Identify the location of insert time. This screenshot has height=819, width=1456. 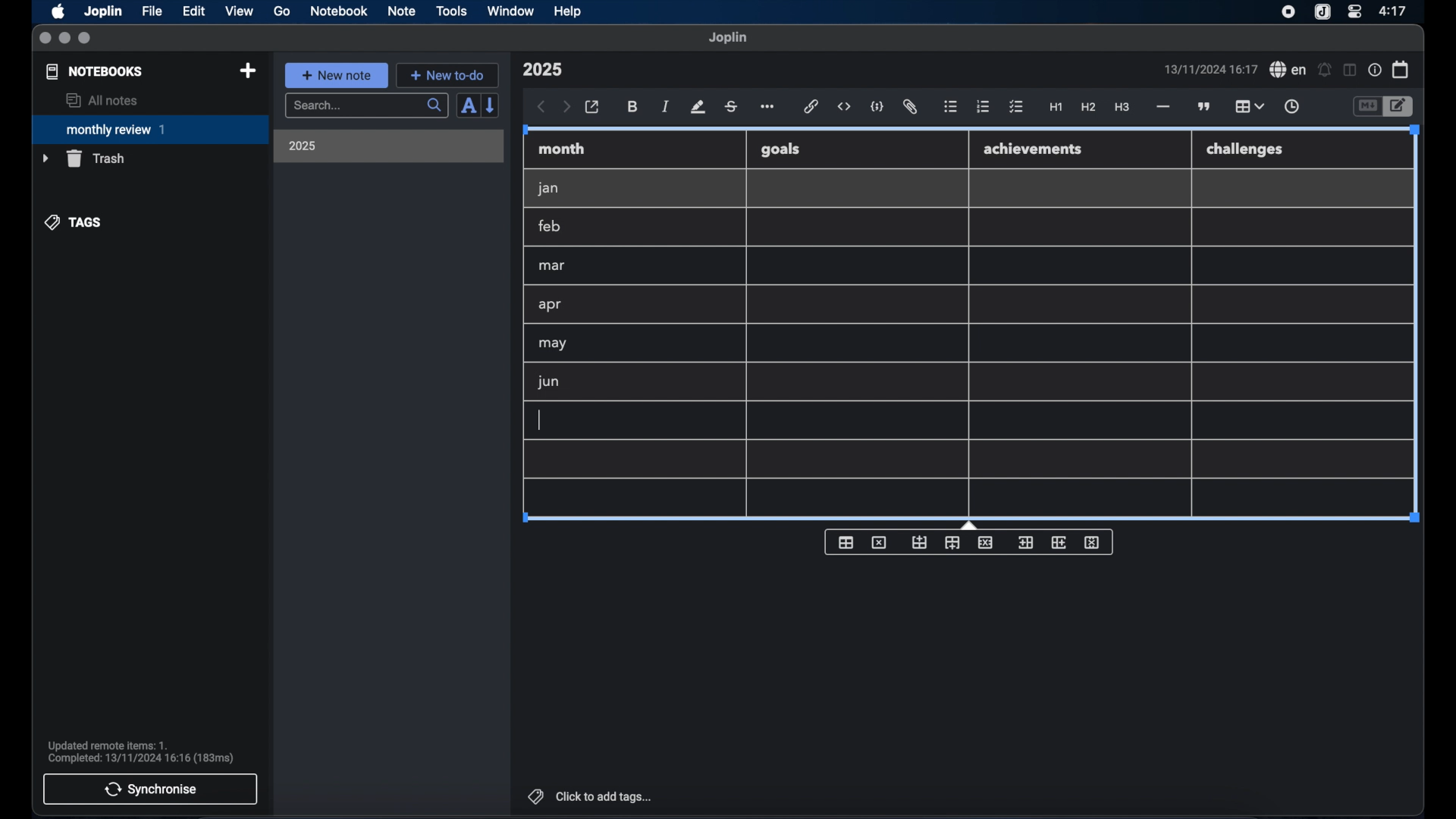
(1291, 107).